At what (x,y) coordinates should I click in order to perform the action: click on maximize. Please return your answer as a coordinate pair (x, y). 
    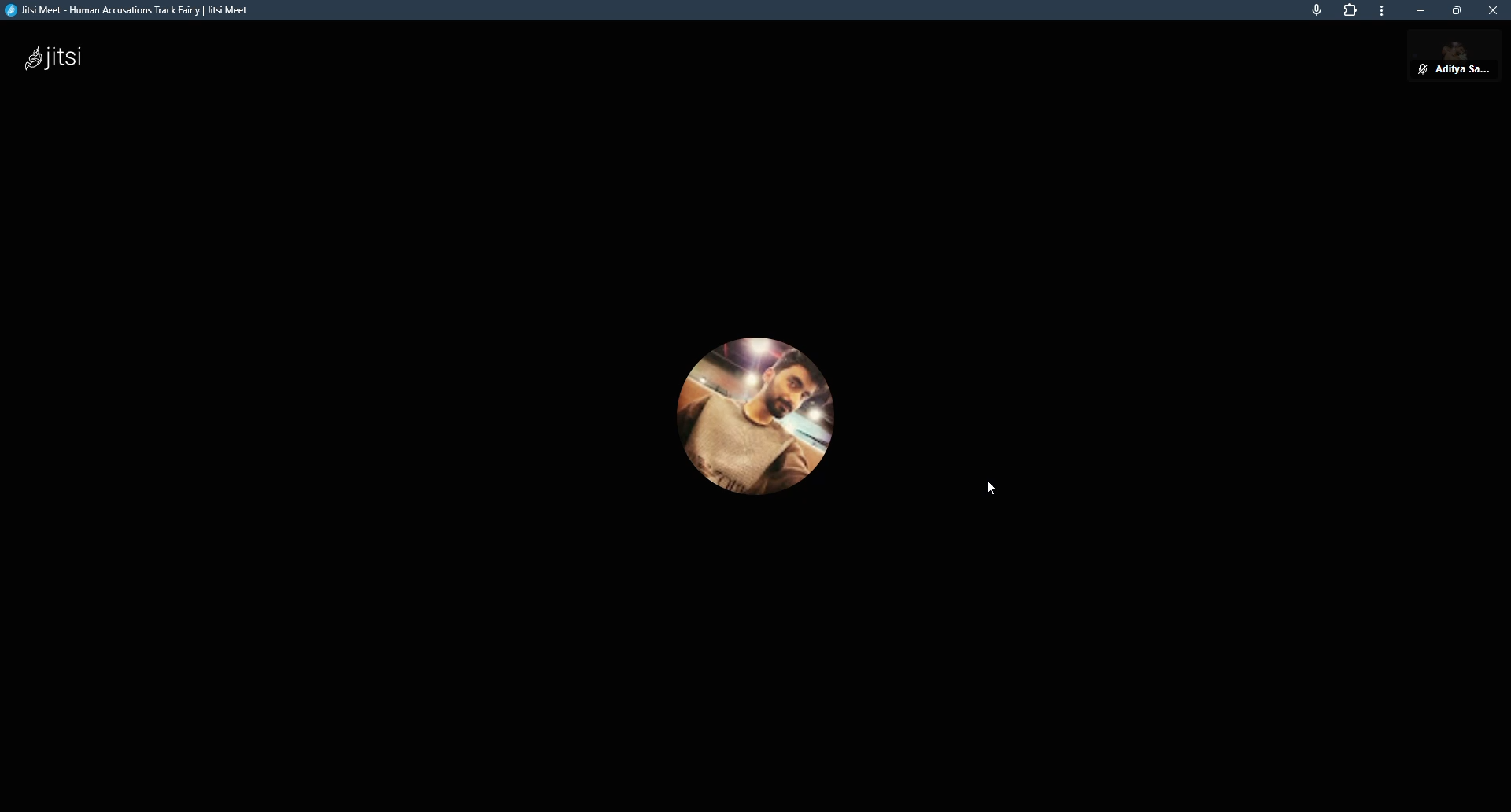
    Looking at the image, I should click on (1457, 10).